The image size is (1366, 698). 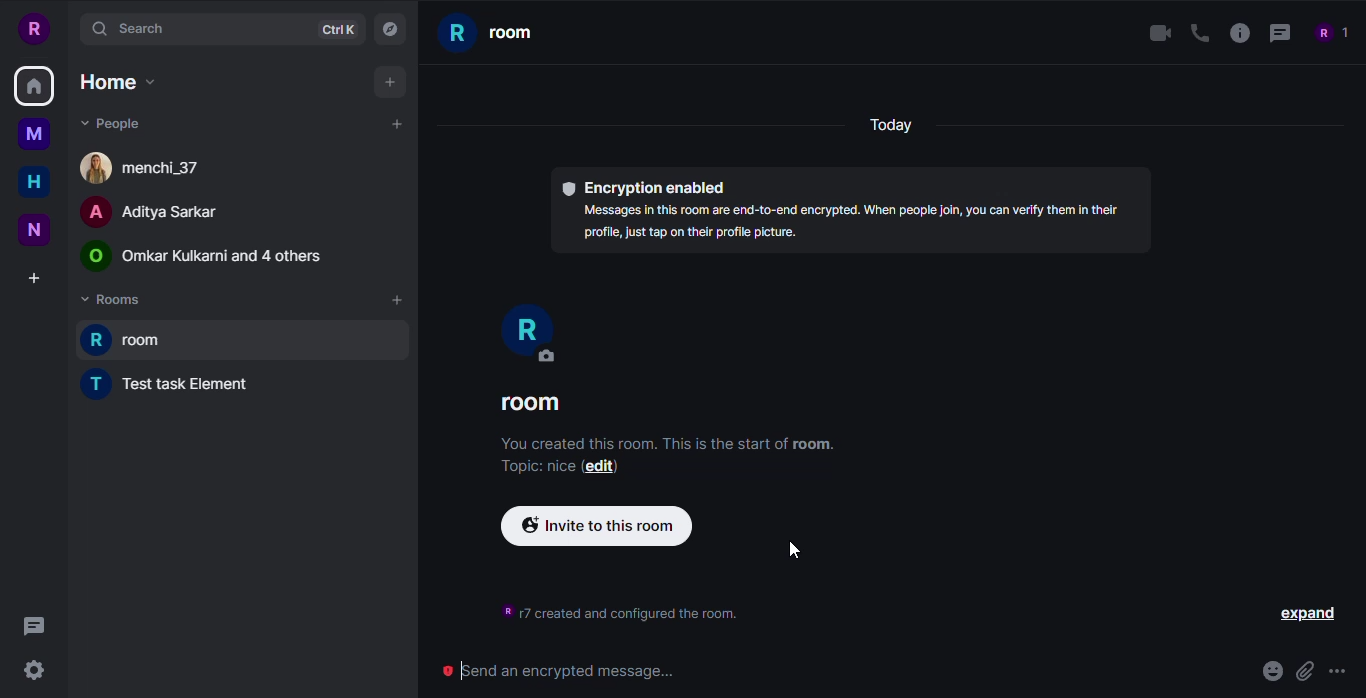 What do you see at coordinates (1305, 612) in the screenshot?
I see `expand` at bounding box center [1305, 612].